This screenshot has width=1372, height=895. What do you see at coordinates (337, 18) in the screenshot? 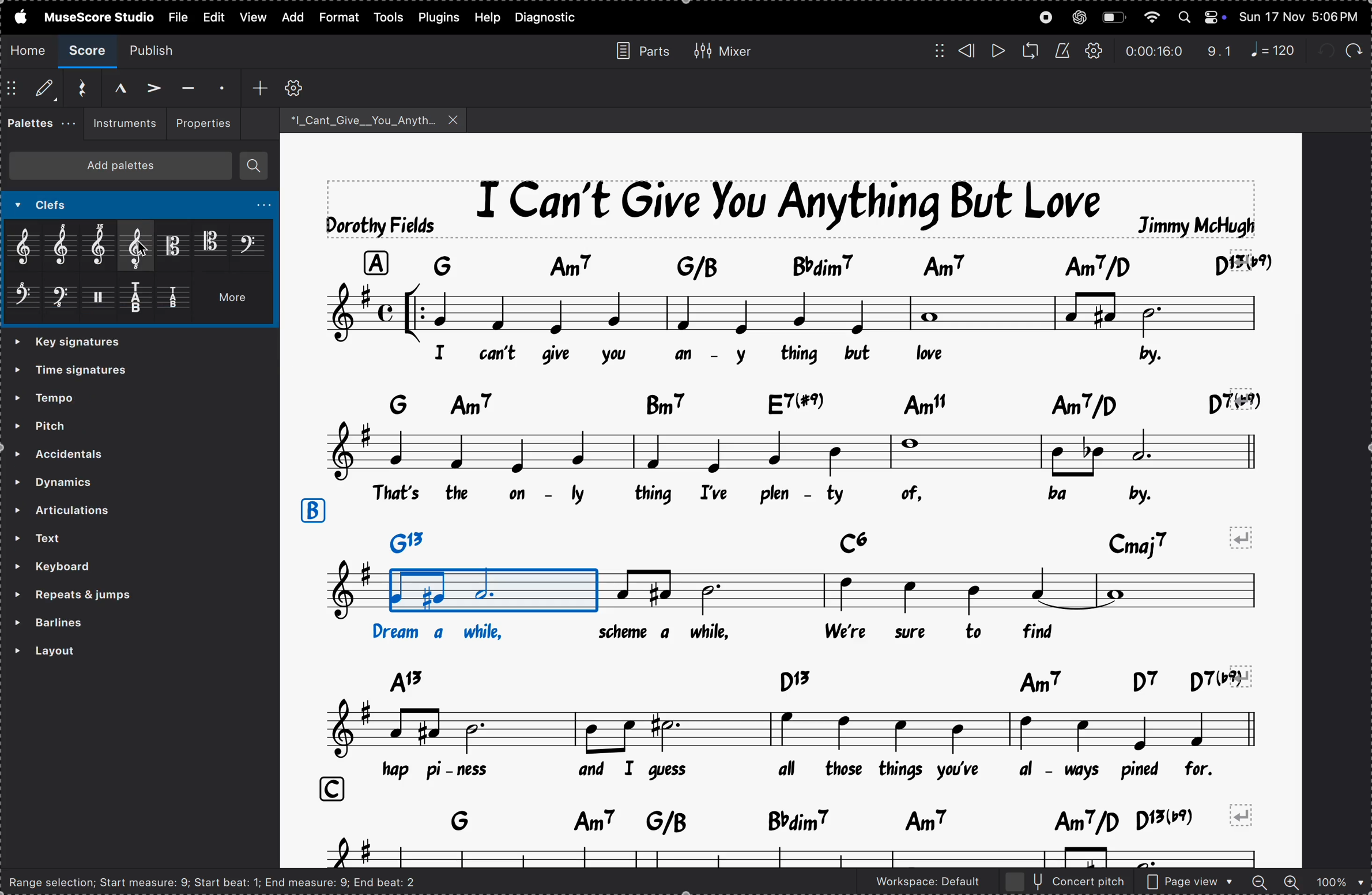
I see `format` at bounding box center [337, 18].